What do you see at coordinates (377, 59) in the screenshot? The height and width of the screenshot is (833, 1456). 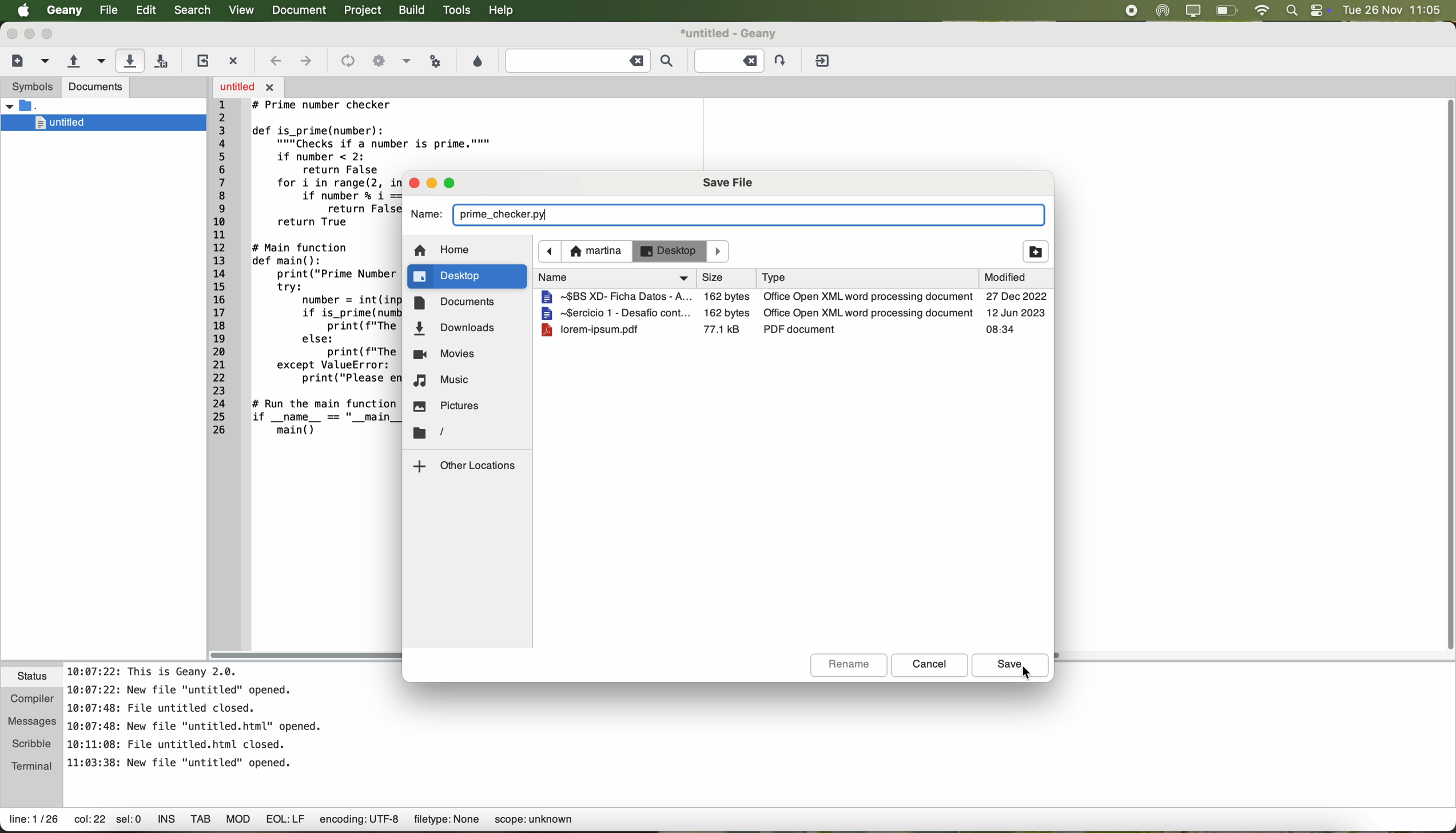 I see `icon` at bounding box center [377, 59].